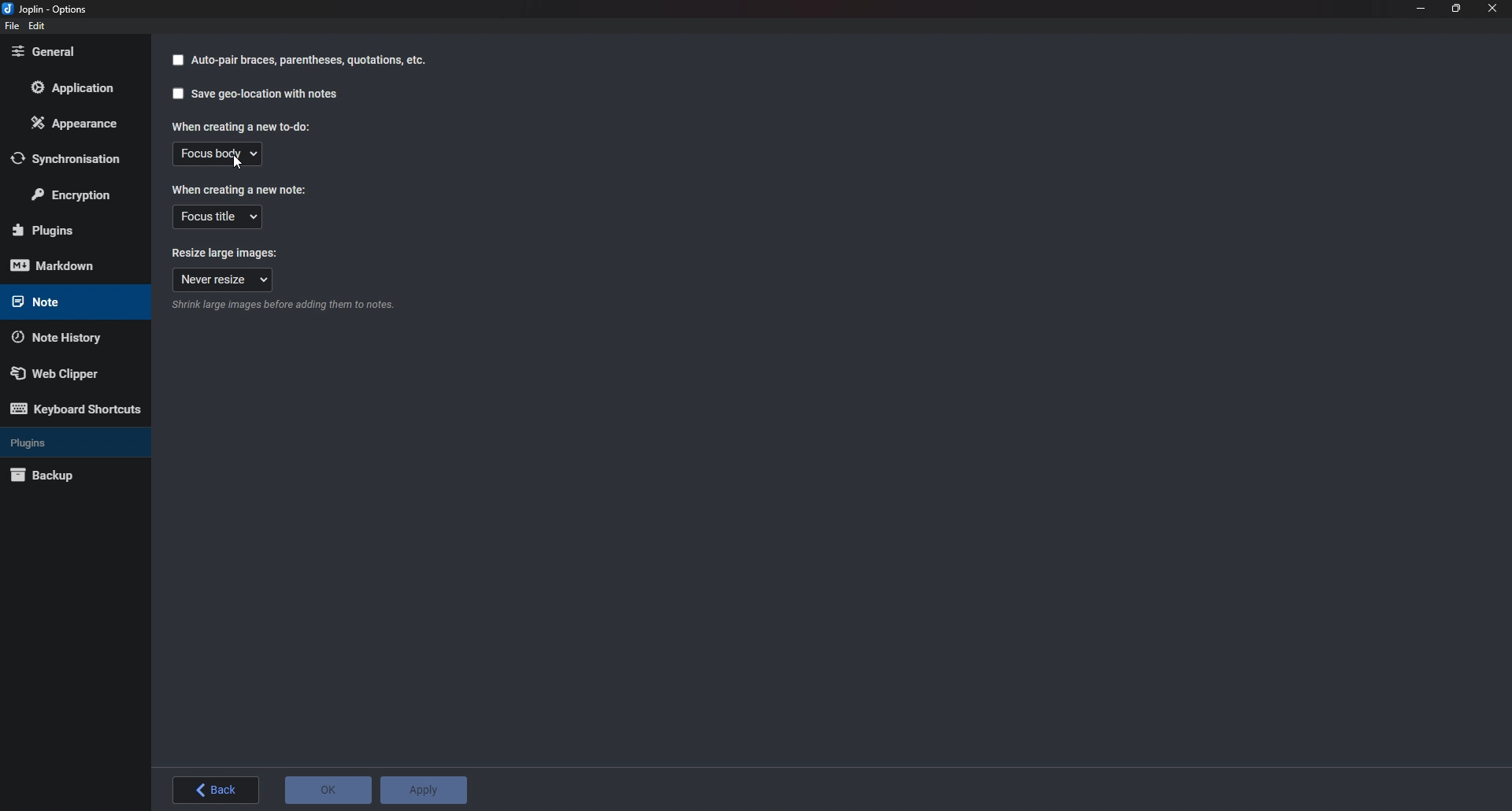 This screenshot has height=811, width=1512. What do you see at coordinates (76, 409) in the screenshot?
I see `Keyboard shortcuts` at bounding box center [76, 409].